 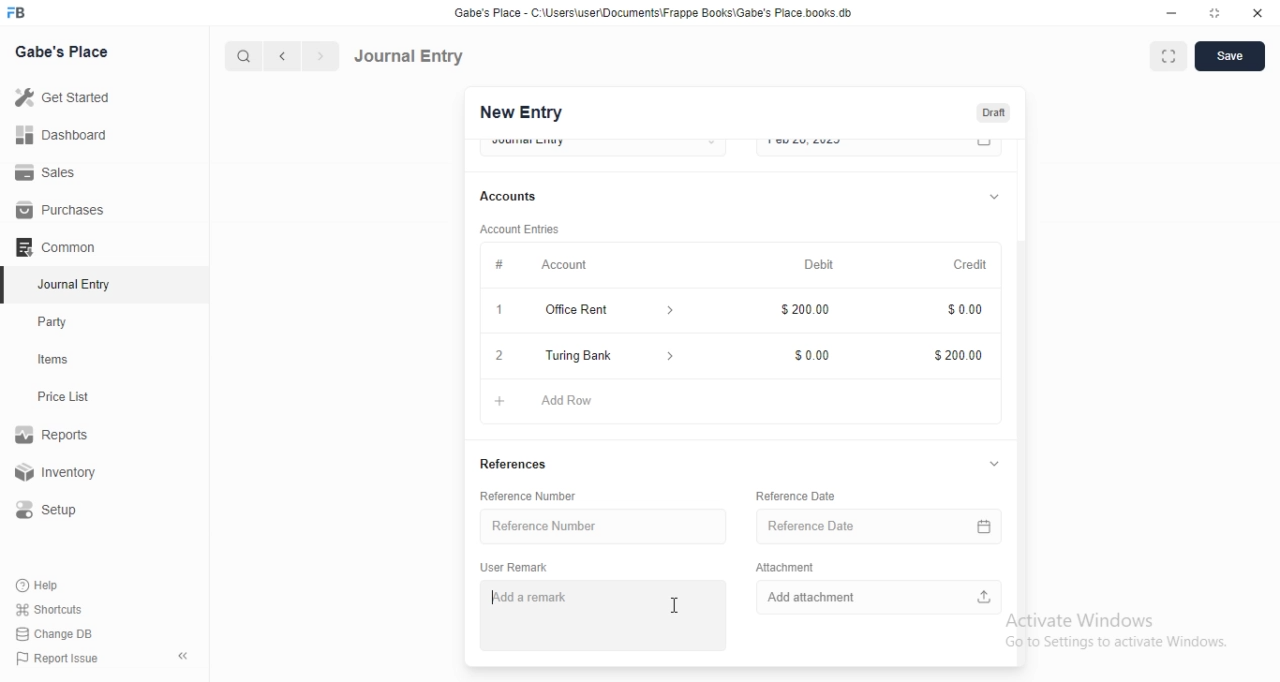 What do you see at coordinates (957, 357) in the screenshot?
I see `$200.00` at bounding box center [957, 357].